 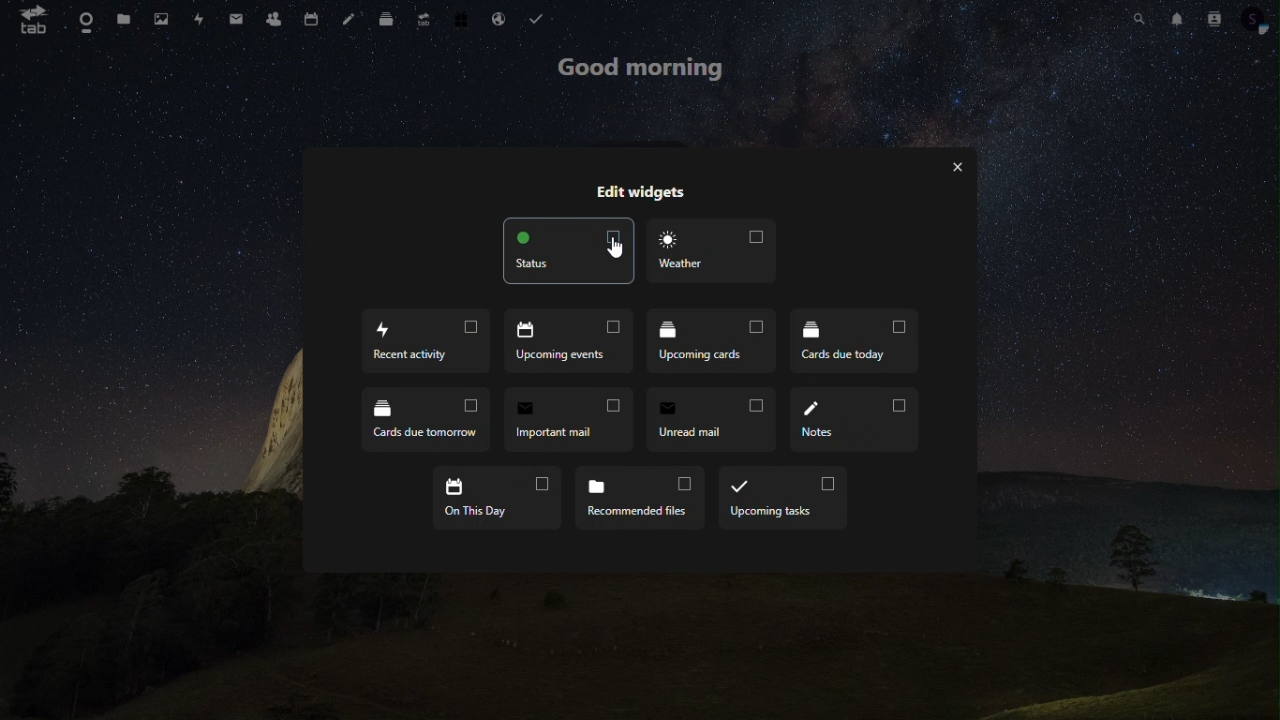 I want to click on tasks, so click(x=540, y=19).